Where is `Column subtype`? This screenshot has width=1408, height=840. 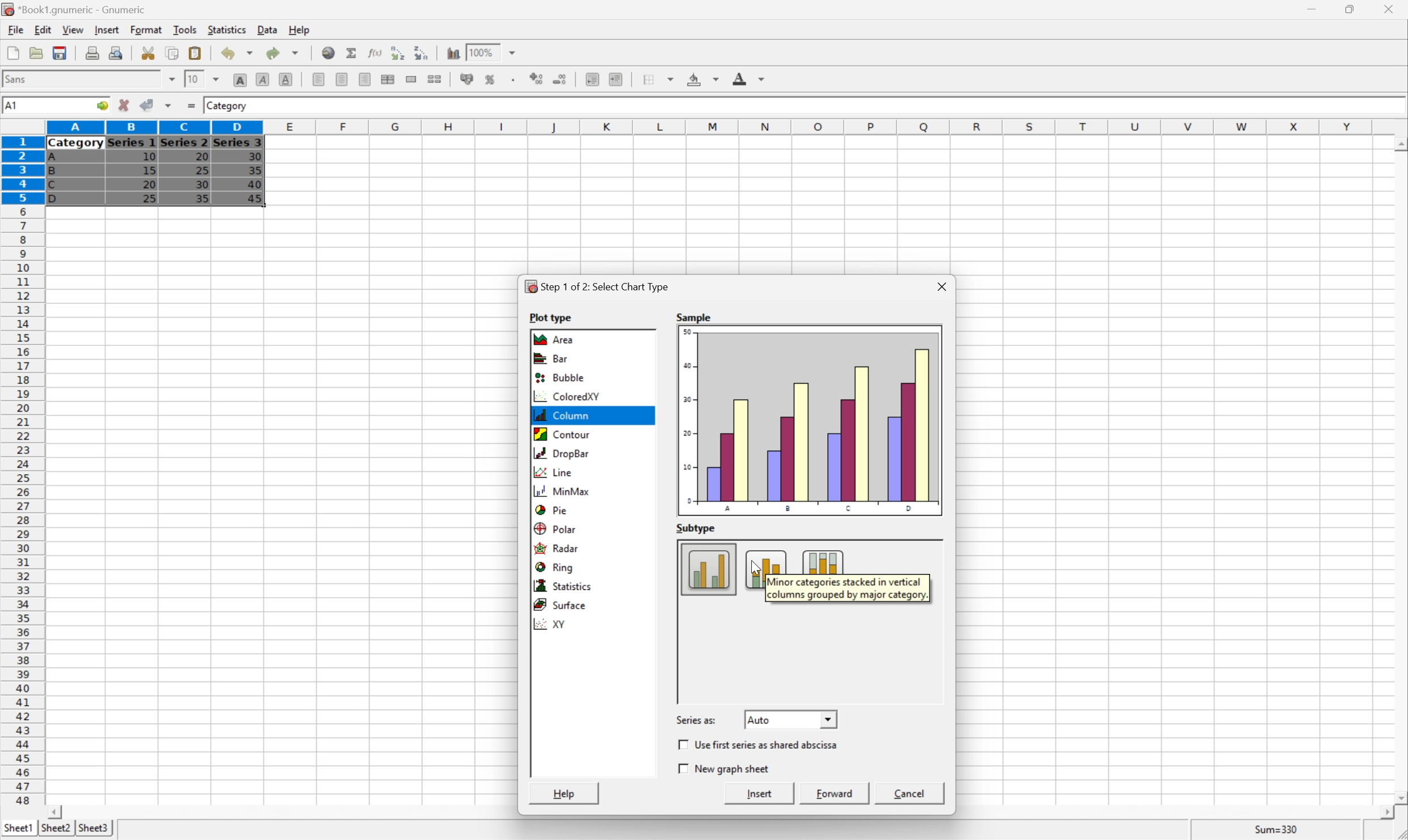
Column subtype is located at coordinates (766, 563).